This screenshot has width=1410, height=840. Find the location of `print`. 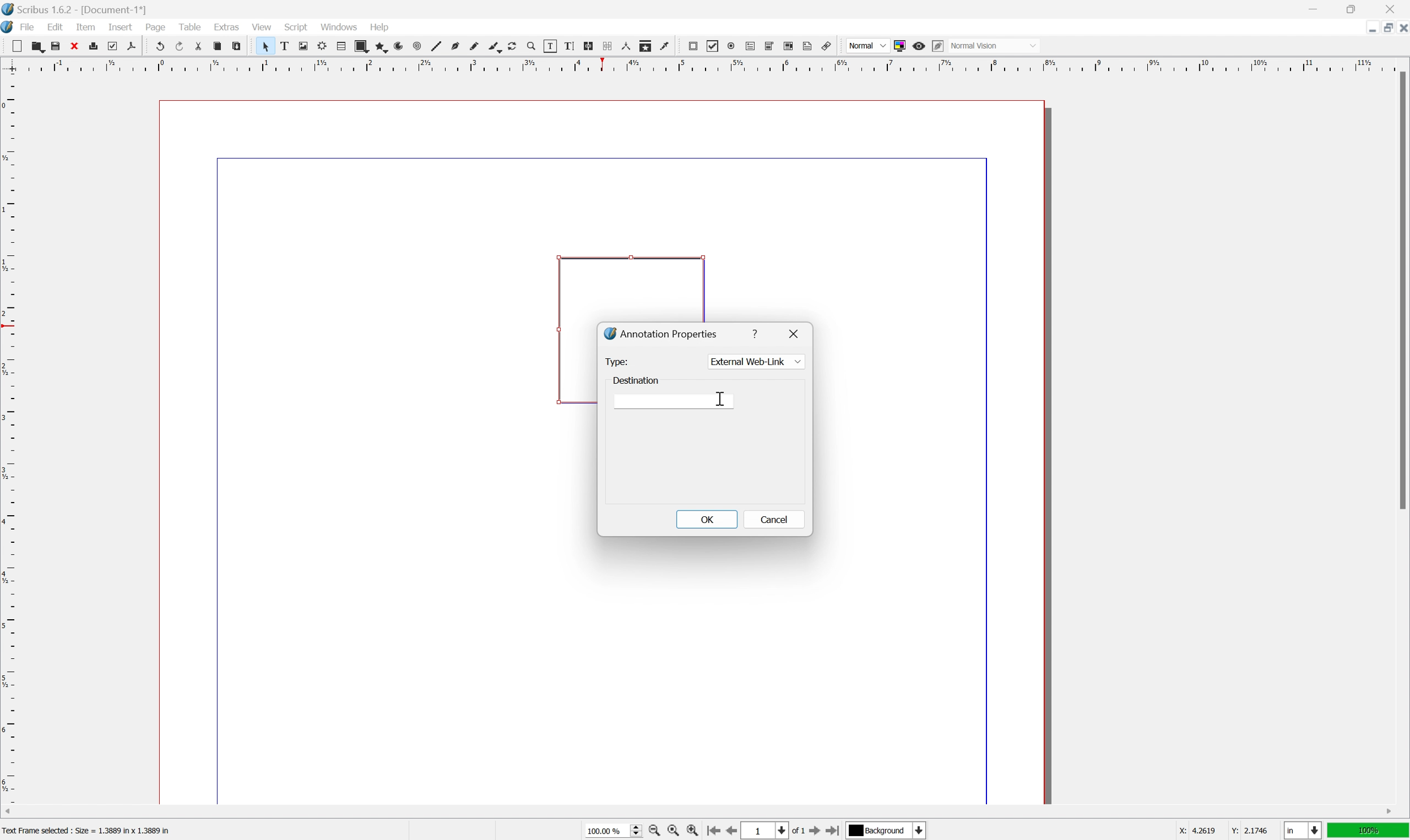

print is located at coordinates (93, 45).